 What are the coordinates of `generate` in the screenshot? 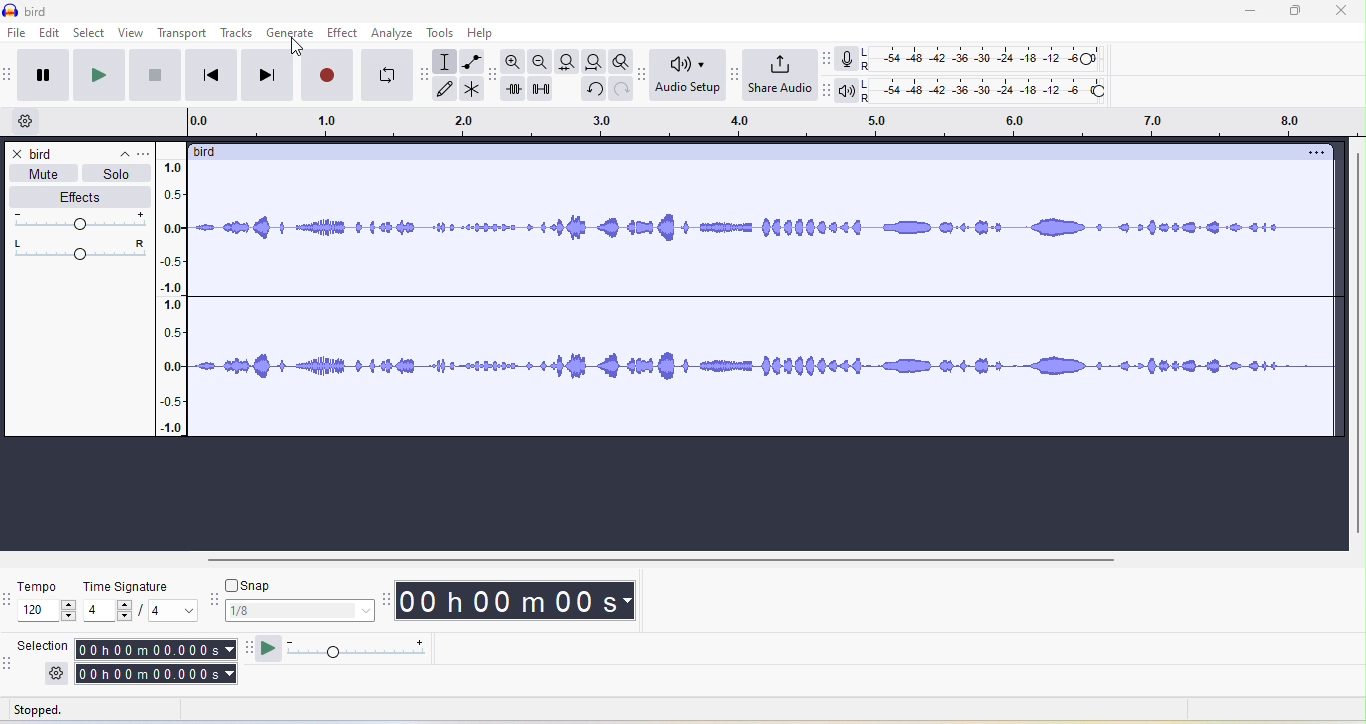 It's located at (294, 35).